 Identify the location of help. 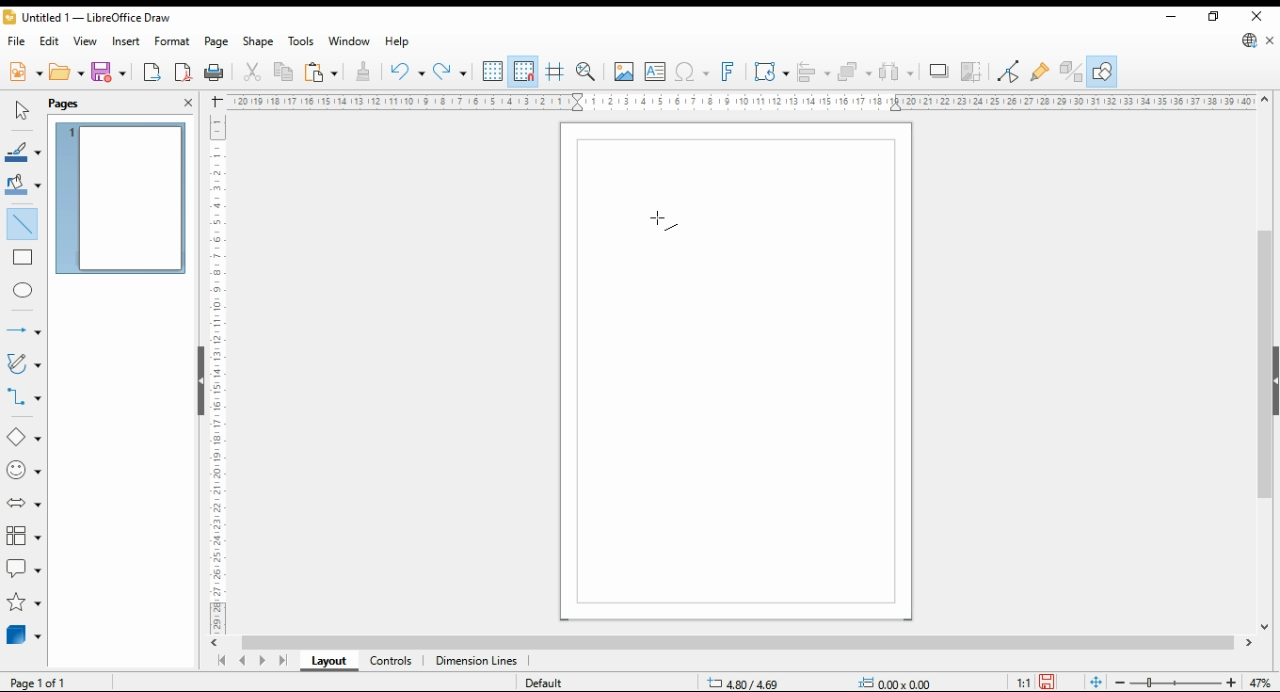
(397, 42).